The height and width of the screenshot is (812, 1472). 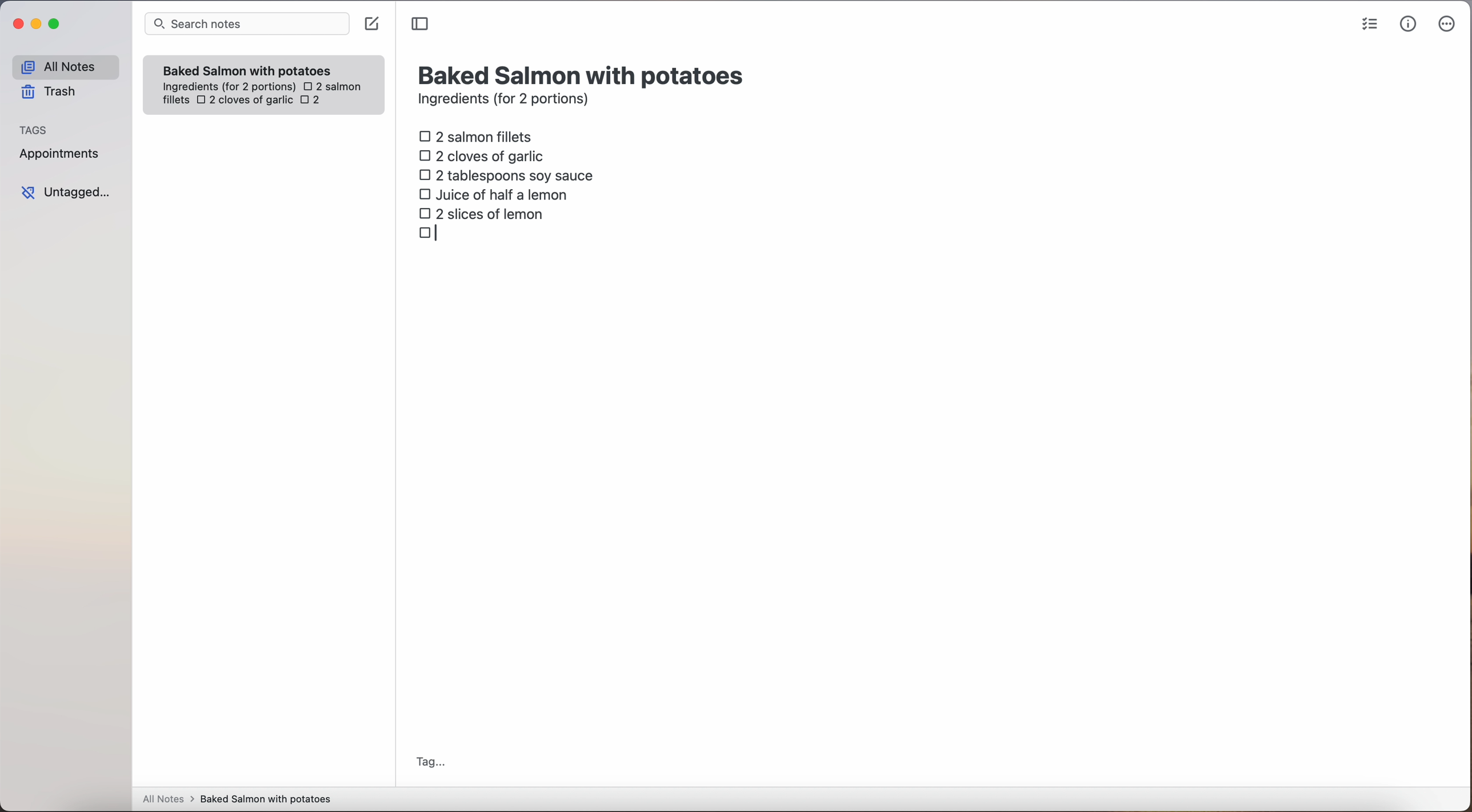 I want to click on appointments tag, so click(x=61, y=151).